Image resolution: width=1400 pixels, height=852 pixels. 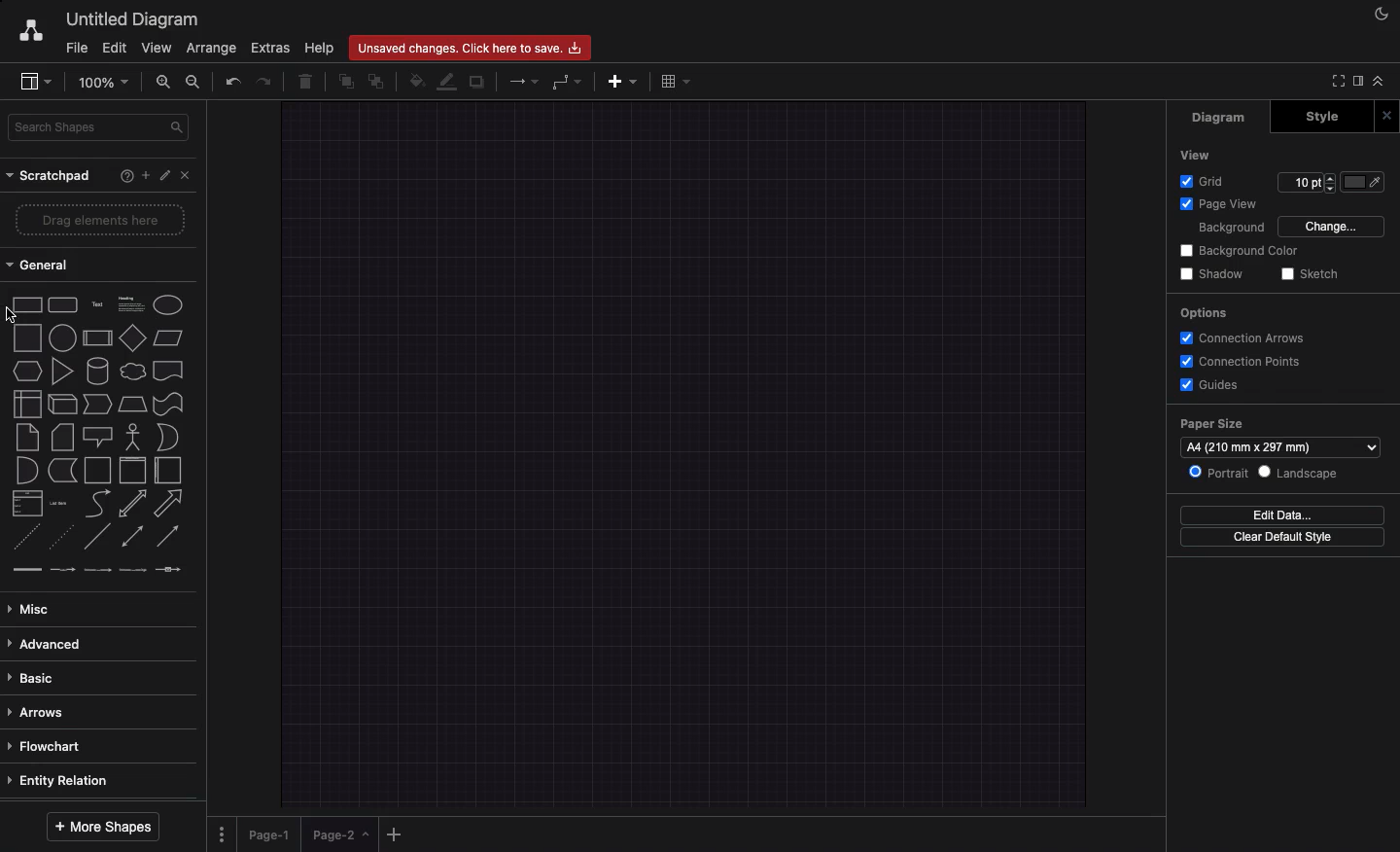 What do you see at coordinates (131, 370) in the screenshot?
I see `cloud` at bounding box center [131, 370].